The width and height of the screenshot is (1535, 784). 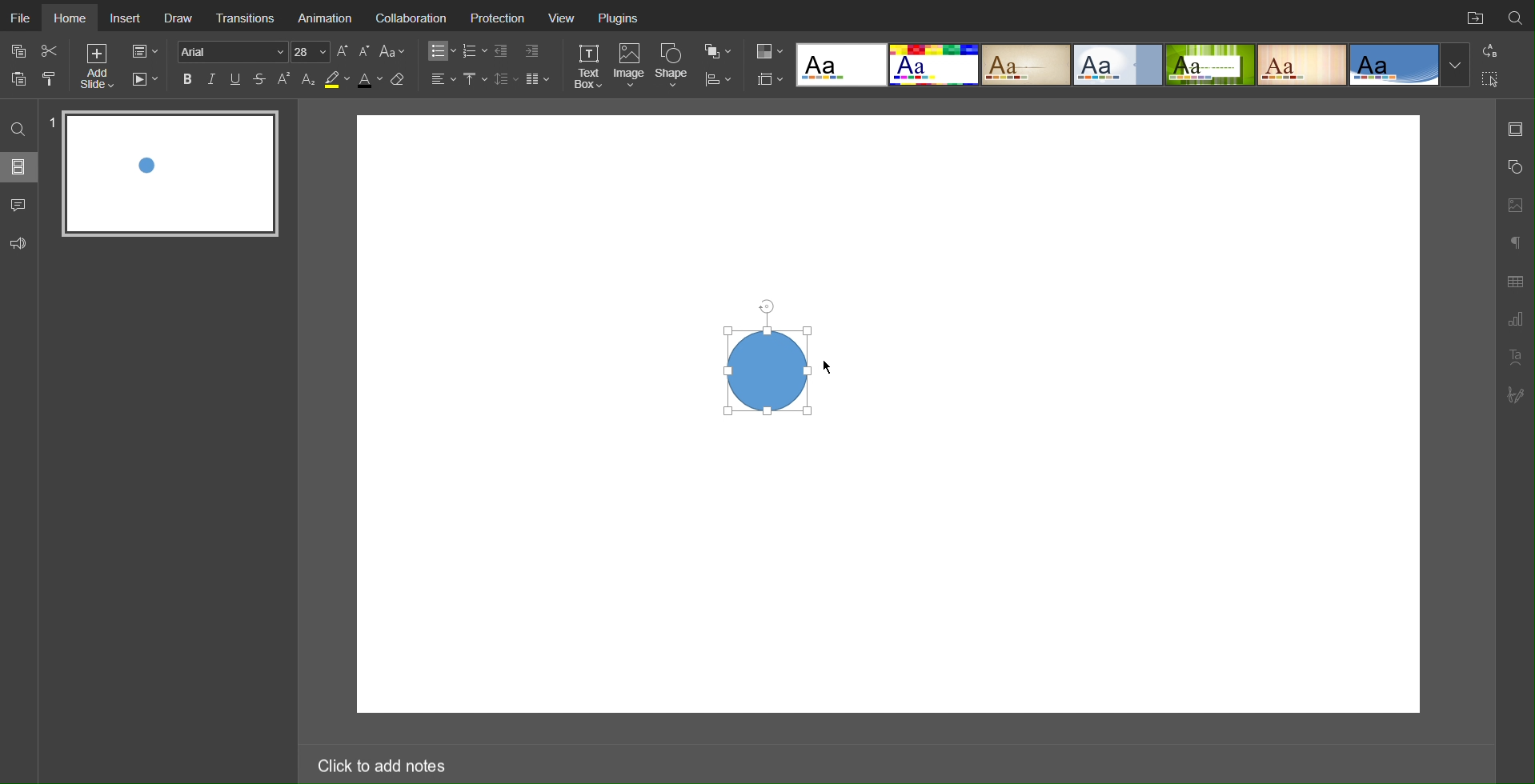 I want to click on slide number, so click(x=52, y=122).